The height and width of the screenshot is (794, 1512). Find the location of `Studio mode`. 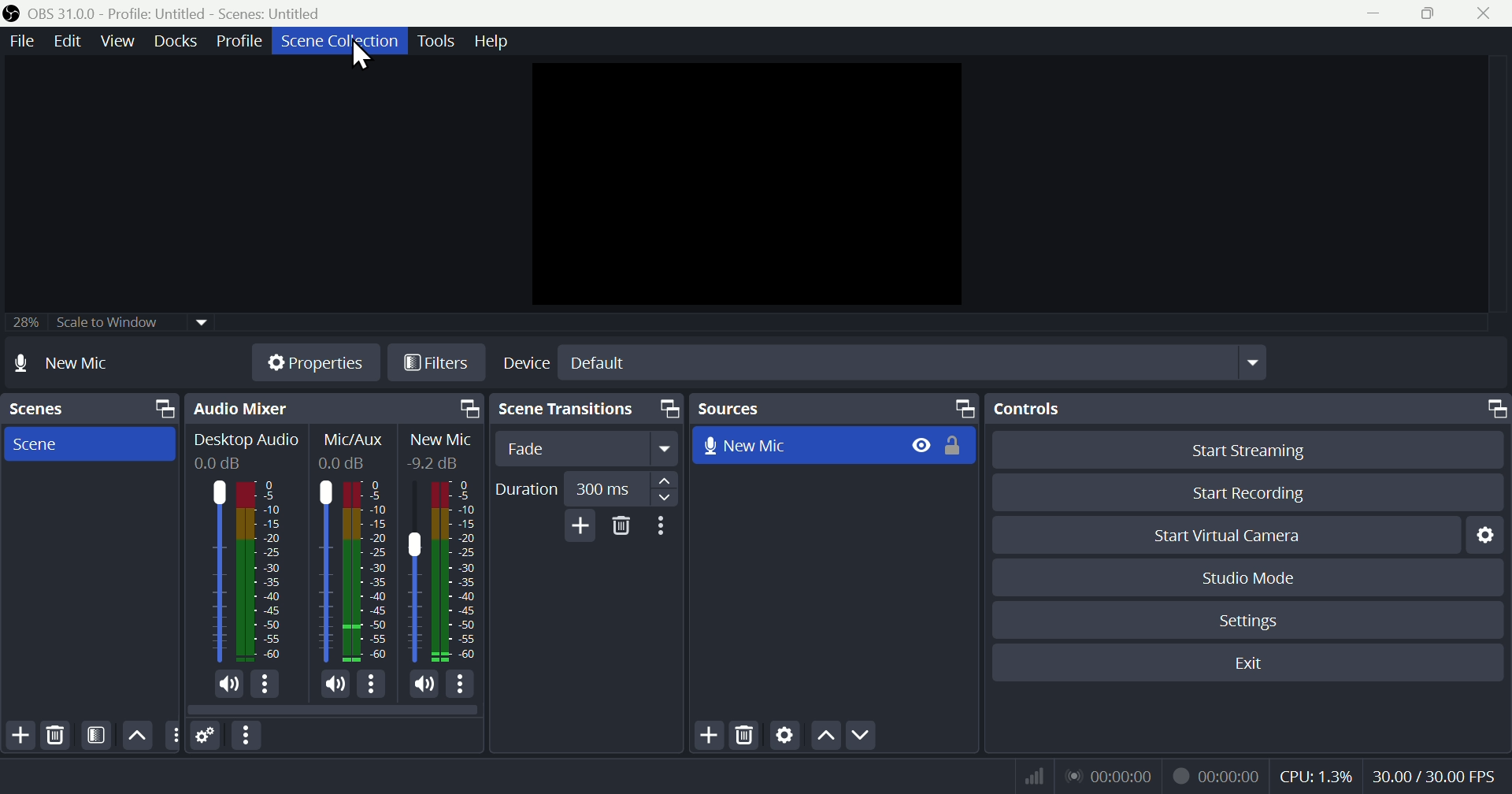

Studio mode is located at coordinates (1266, 580).